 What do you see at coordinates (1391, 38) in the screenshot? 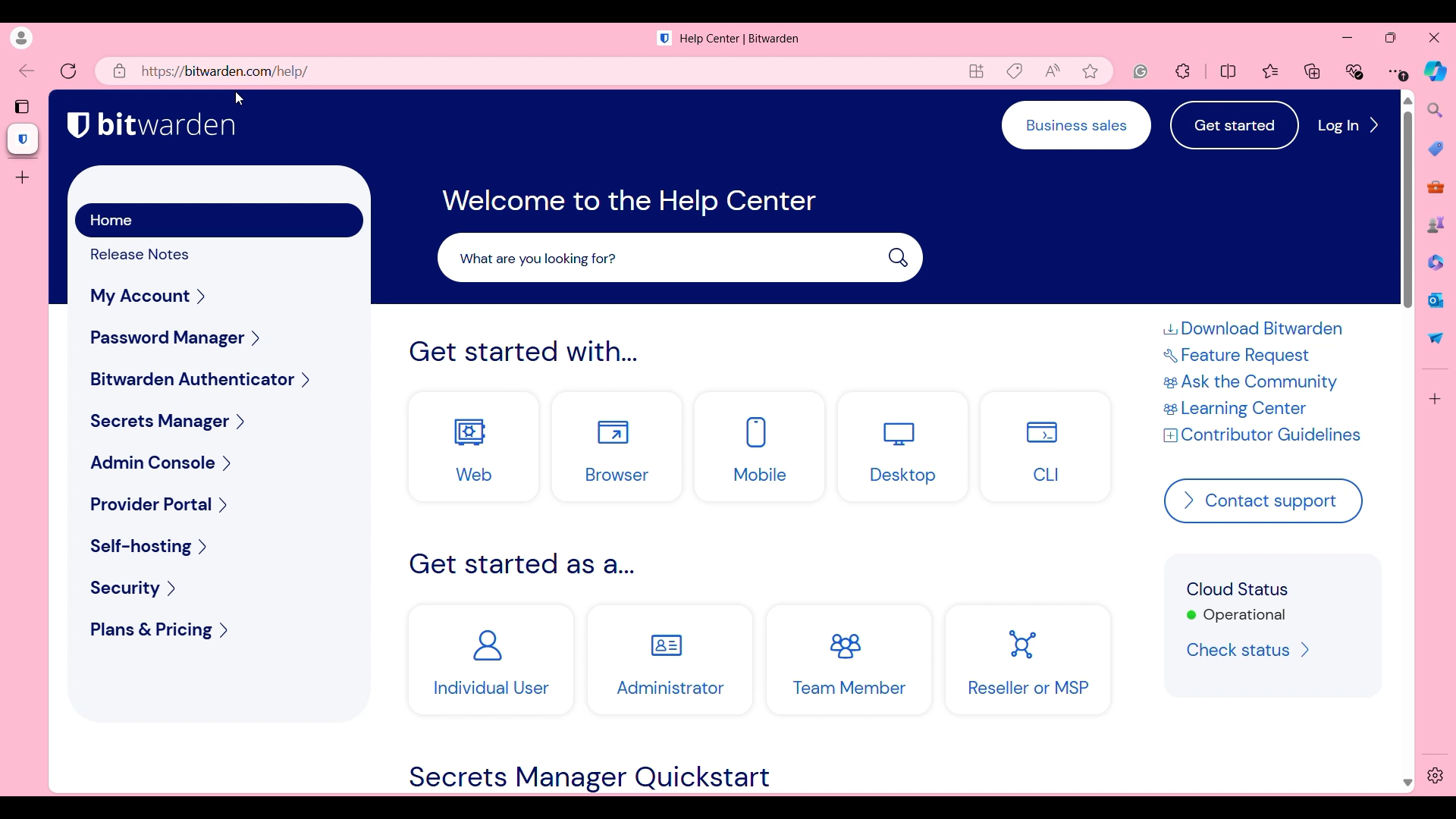
I see `Show in smaller tab` at bounding box center [1391, 38].